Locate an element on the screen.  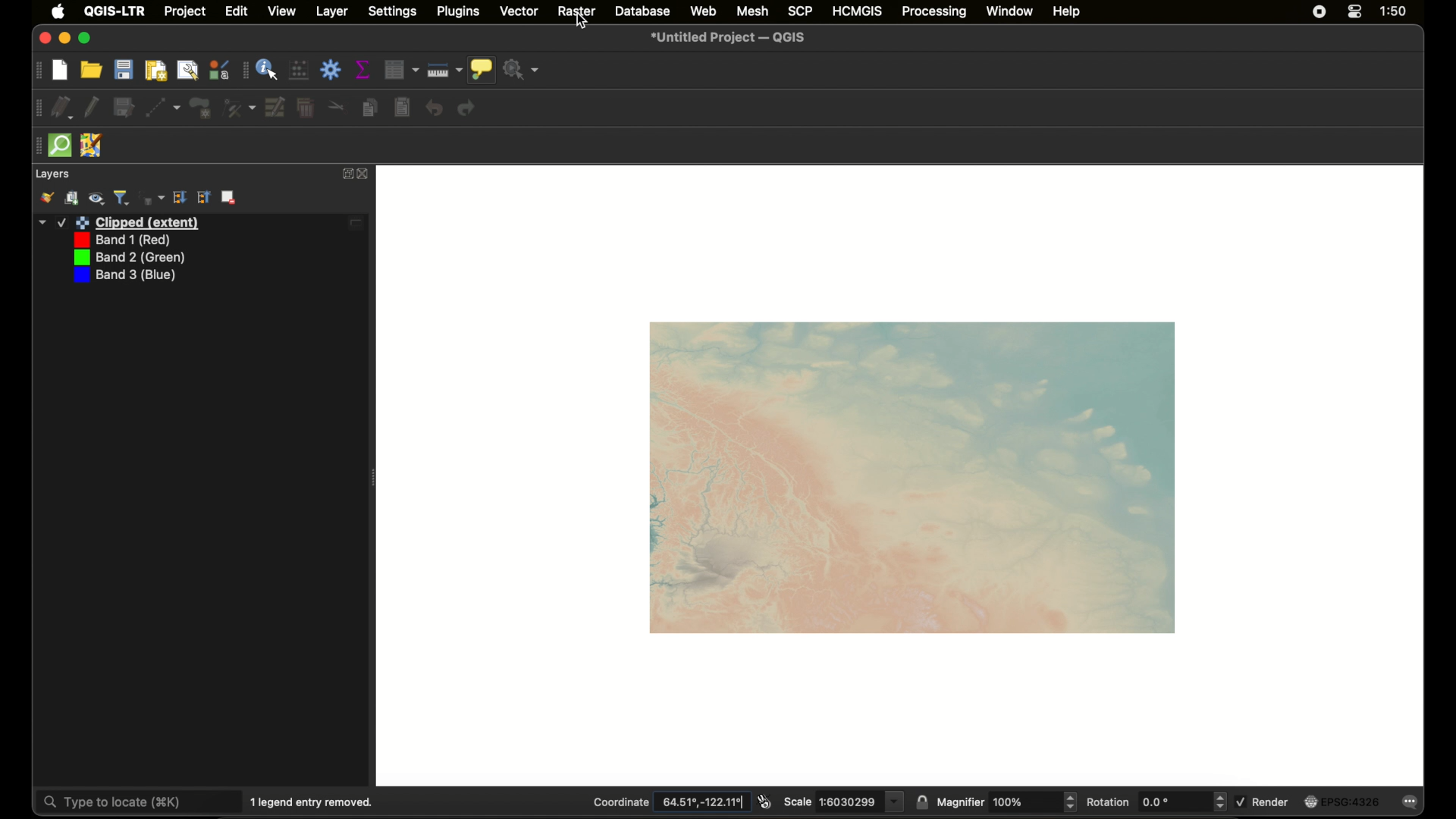
new print layout is located at coordinates (157, 71).